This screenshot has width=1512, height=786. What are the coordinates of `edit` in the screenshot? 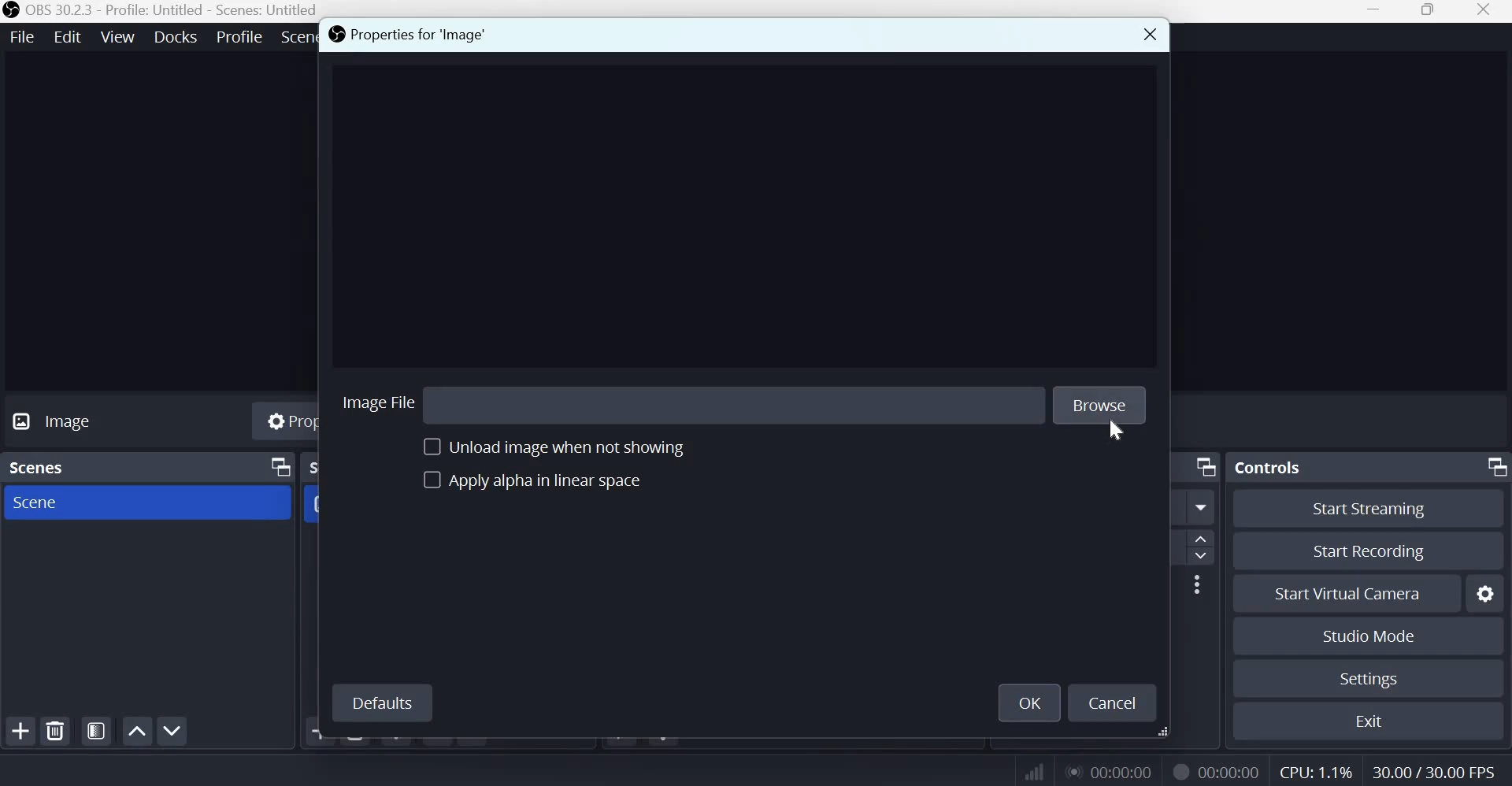 It's located at (68, 35).